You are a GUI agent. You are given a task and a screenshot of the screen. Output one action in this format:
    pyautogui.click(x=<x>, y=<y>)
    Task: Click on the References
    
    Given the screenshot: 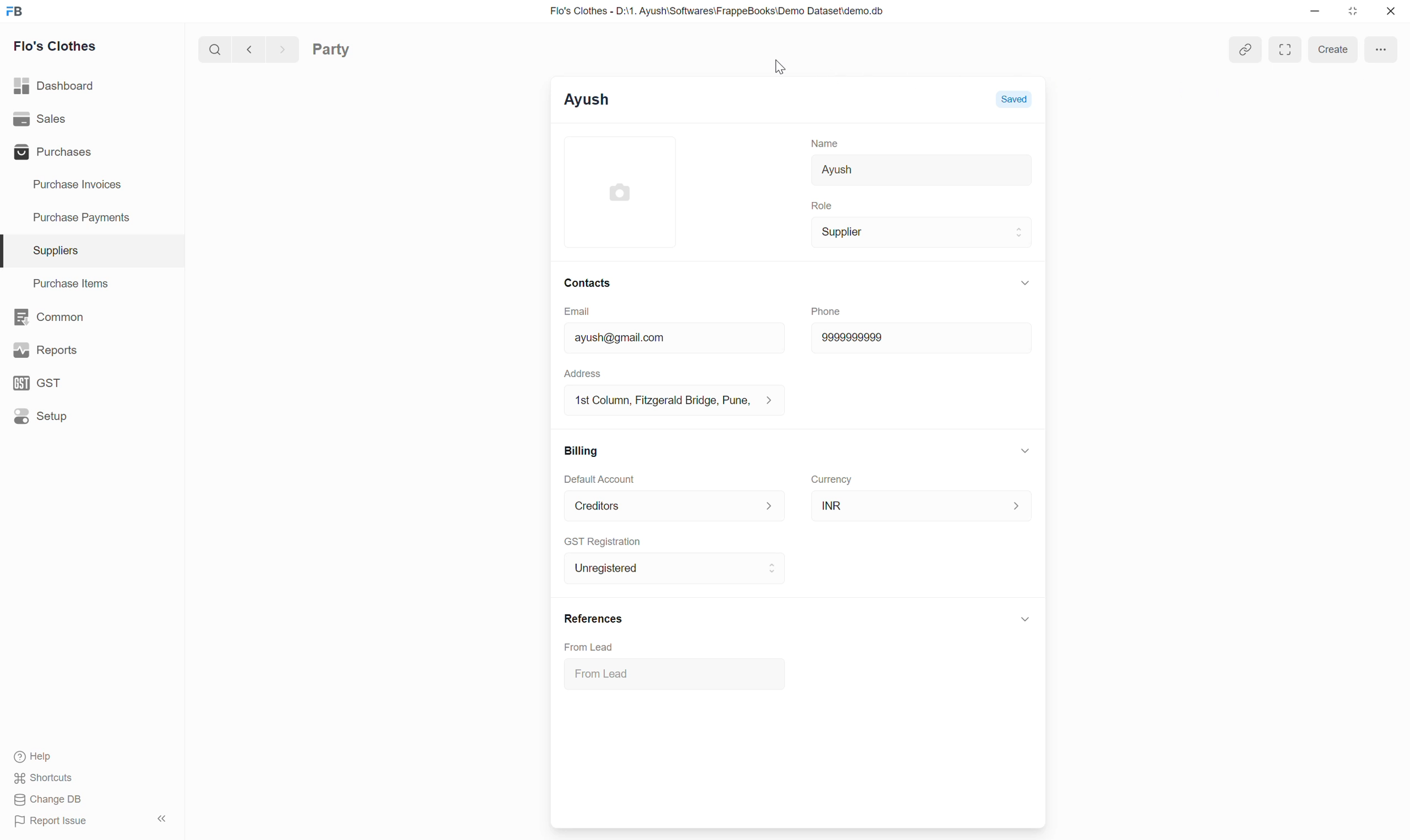 What is the action you would take?
    pyautogui.click(x=595, y=619)
    